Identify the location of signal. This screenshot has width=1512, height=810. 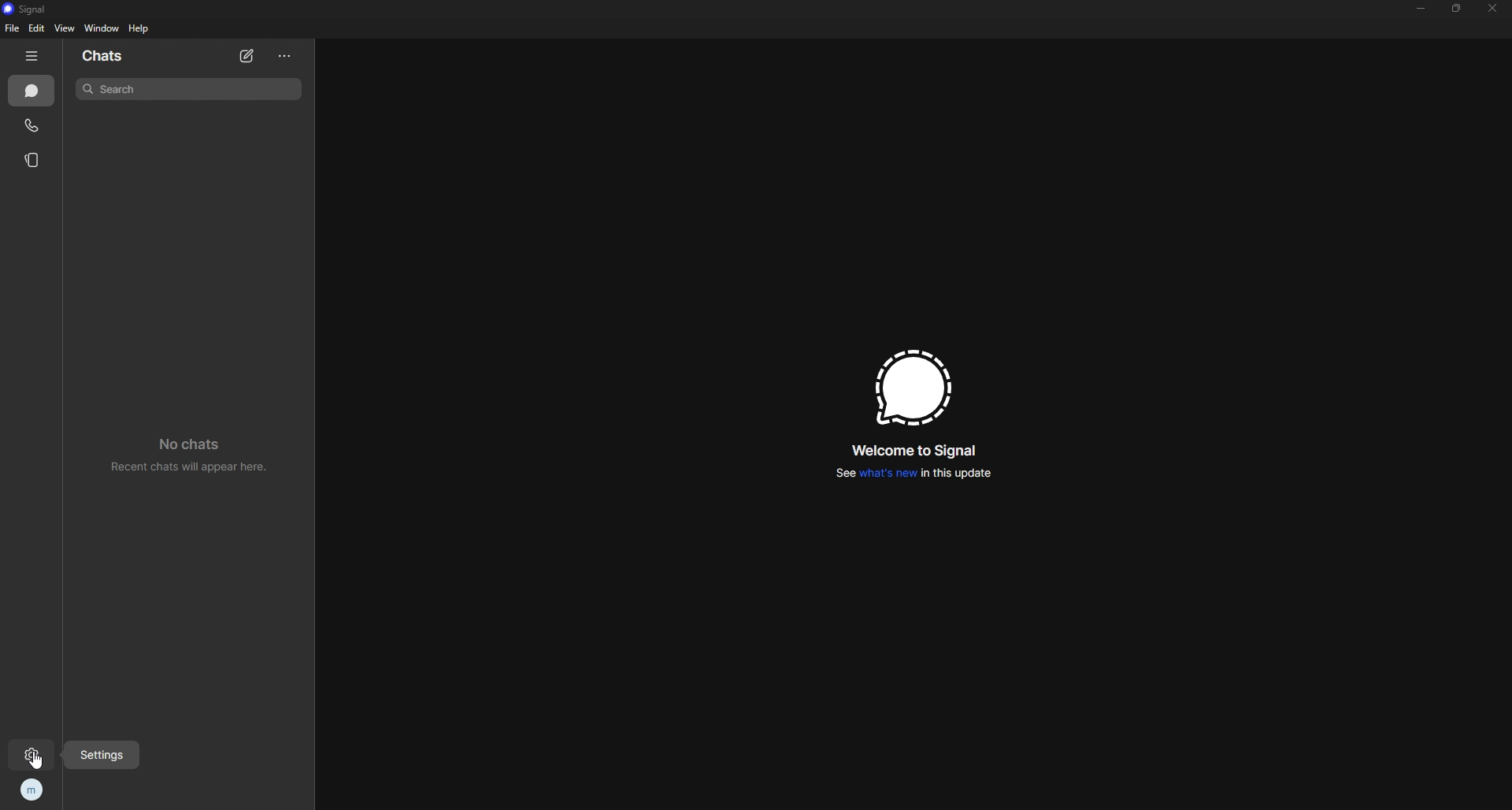
(37, 8).